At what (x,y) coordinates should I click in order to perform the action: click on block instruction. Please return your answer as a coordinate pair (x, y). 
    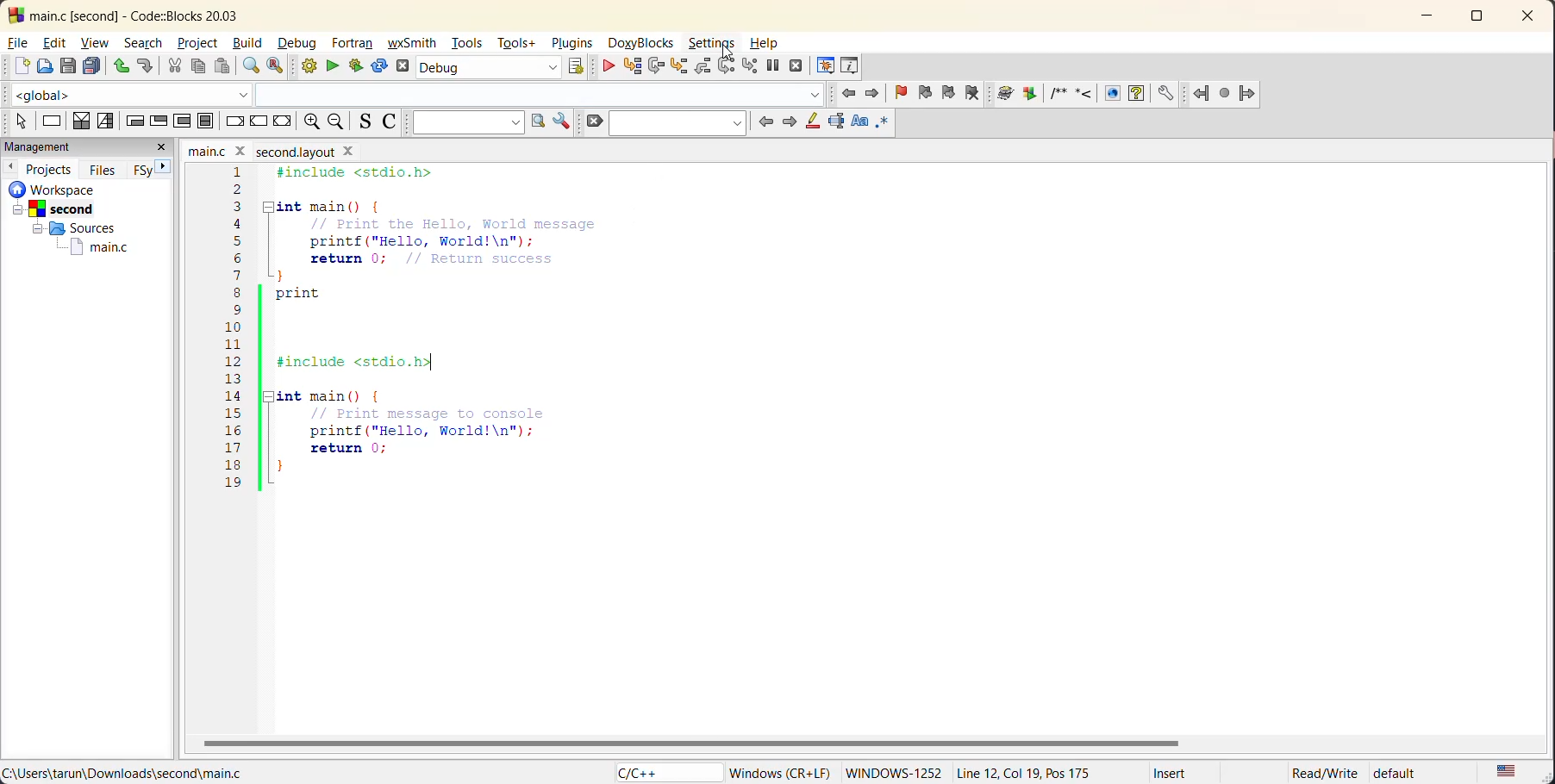
    Looking at the image, I should click on (208, 121).